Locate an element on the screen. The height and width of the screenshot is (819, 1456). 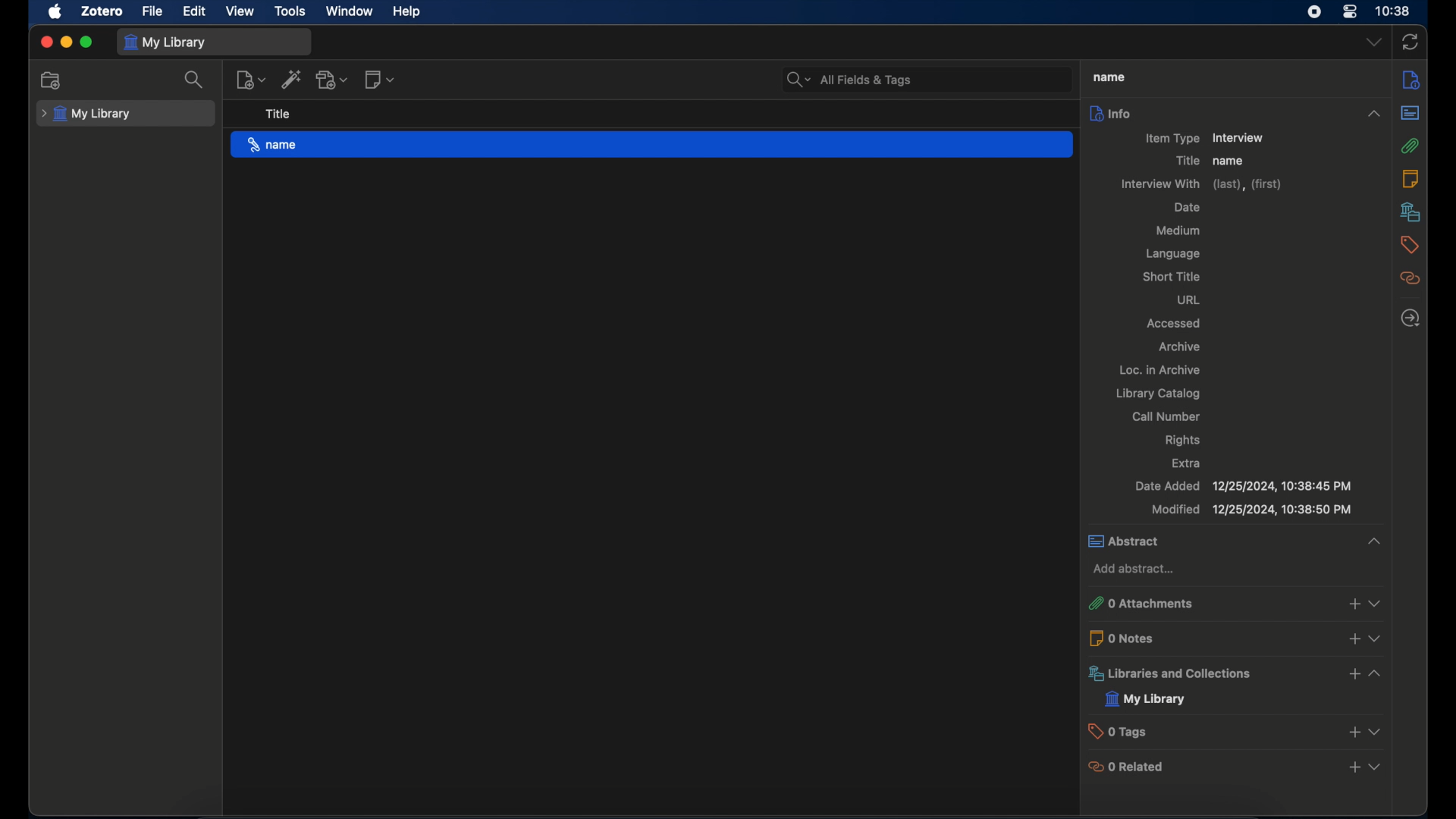
view is located at coordinates (240, 11).